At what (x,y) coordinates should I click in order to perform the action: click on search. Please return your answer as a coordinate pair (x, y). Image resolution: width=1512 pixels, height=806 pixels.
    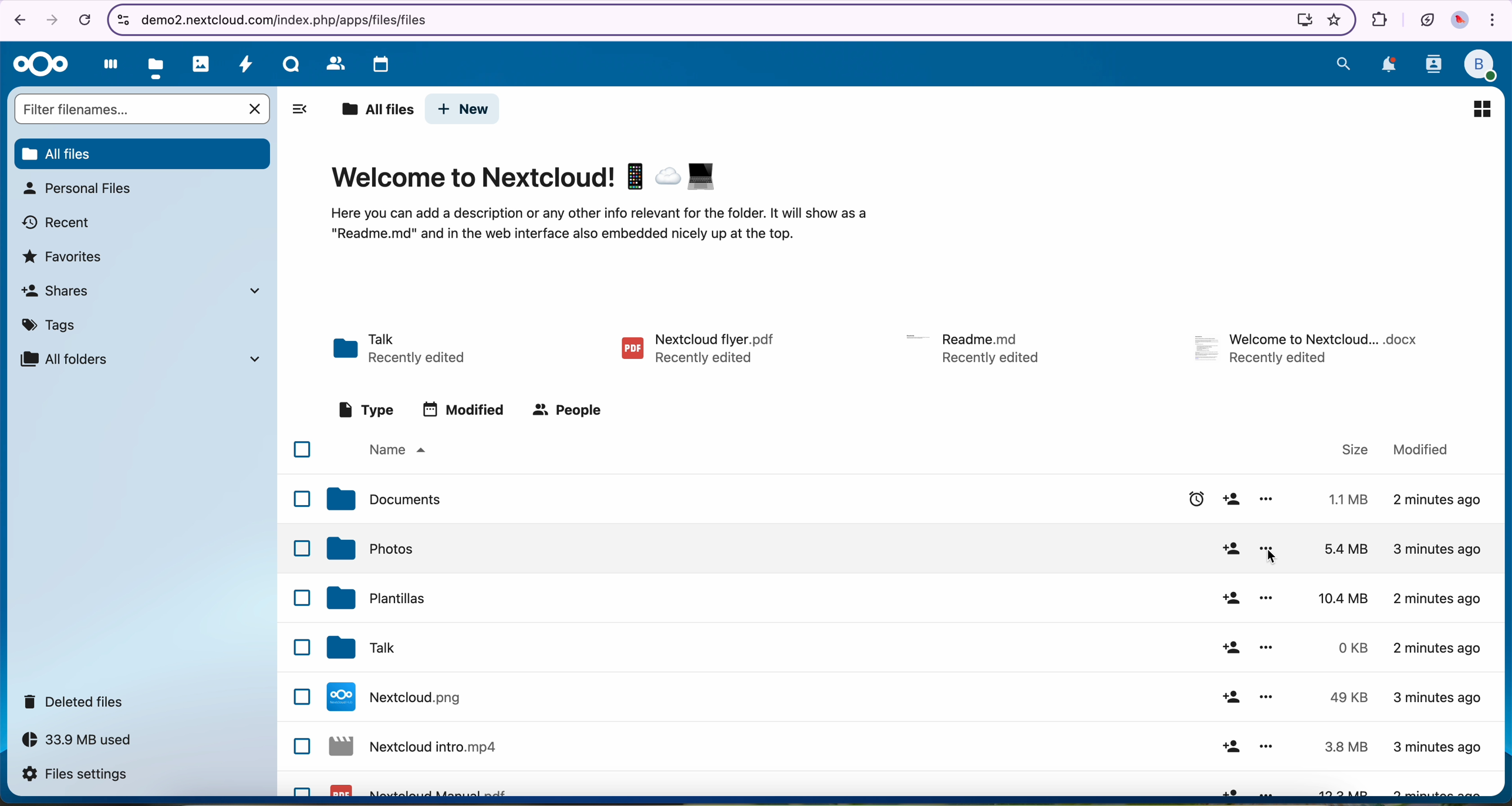
    Looking at the image, I should click on (1342, 63).